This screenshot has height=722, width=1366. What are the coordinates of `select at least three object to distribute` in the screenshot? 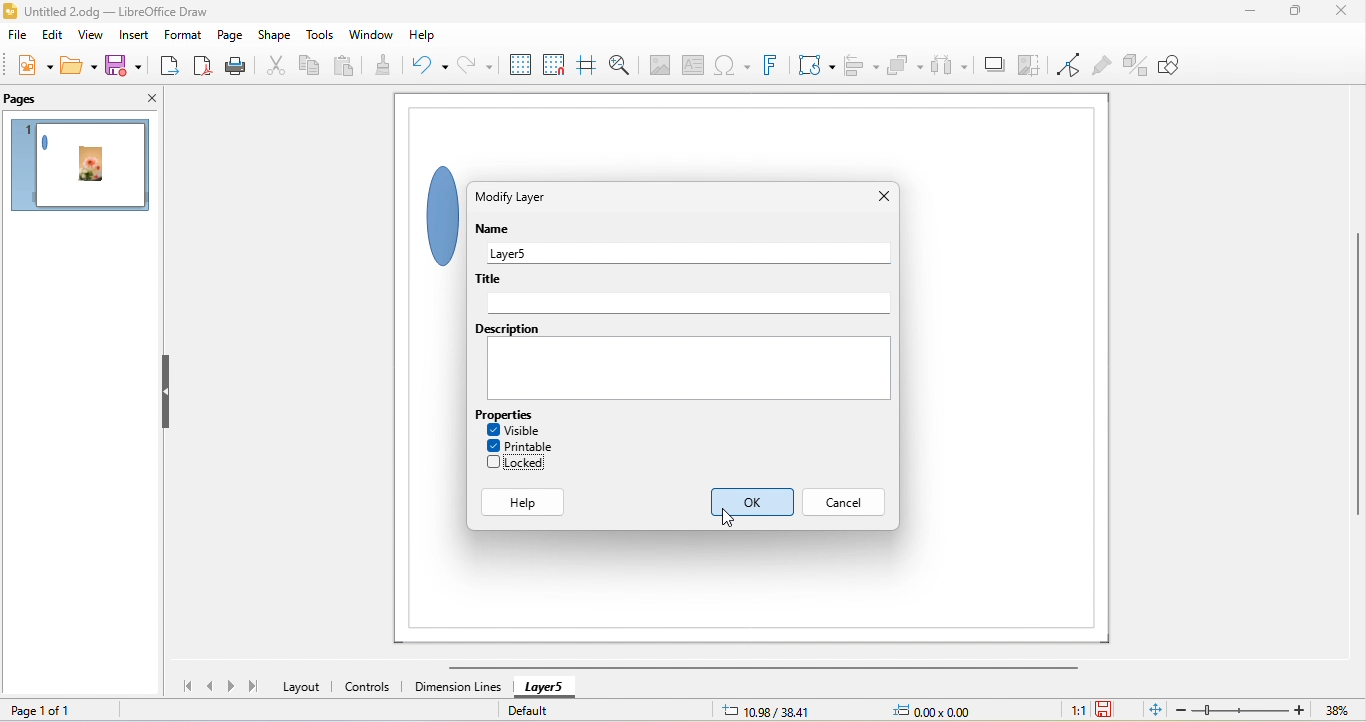 It's located at (950, 64).